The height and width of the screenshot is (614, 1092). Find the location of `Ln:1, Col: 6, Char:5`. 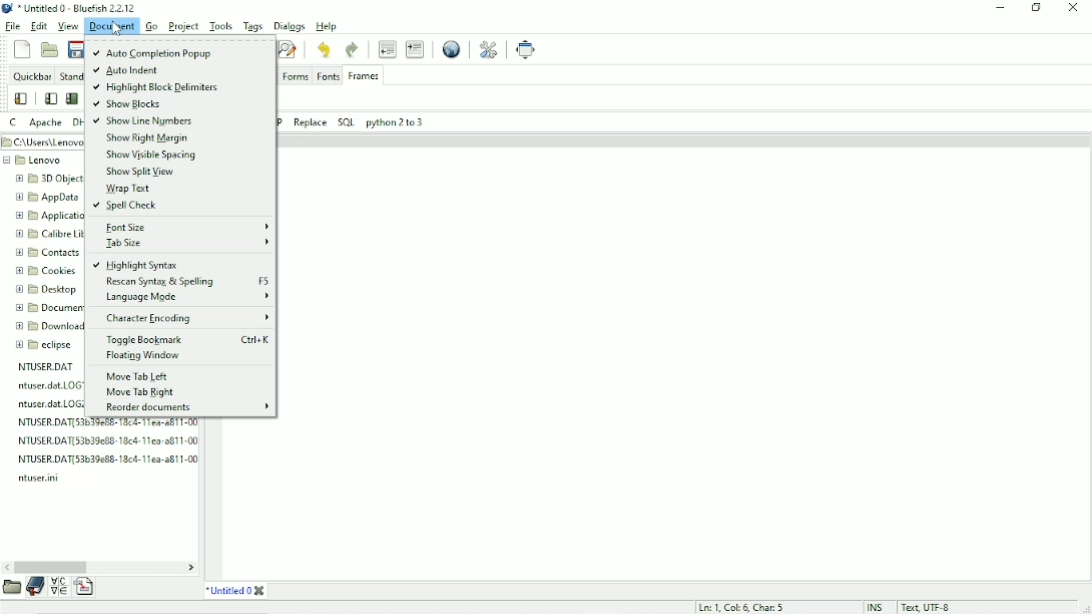

Ln:1, Col: 6, Char:5 is located at coordinates (741, 606).